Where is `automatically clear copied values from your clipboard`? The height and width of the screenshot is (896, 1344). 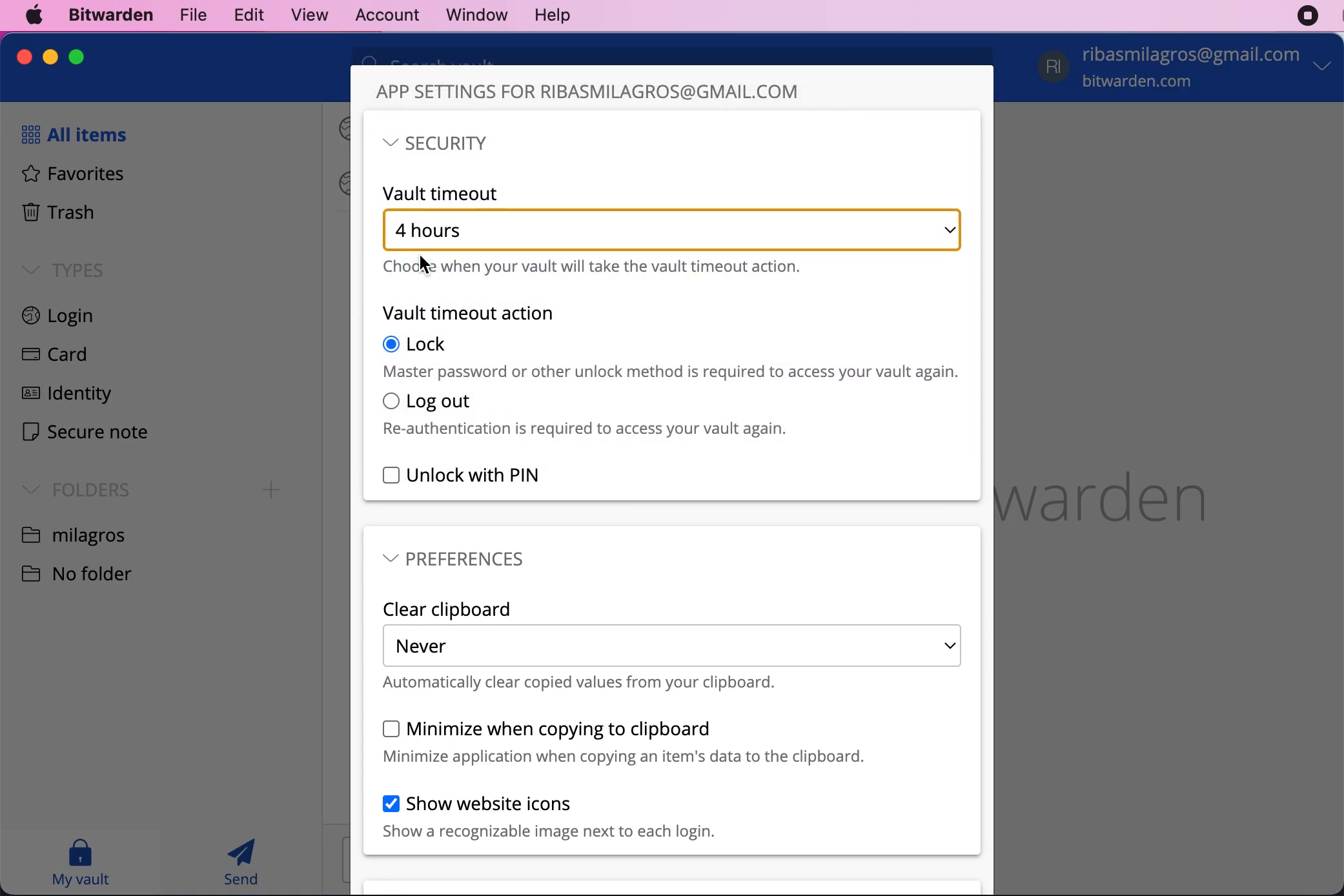
automatically clear copied values from your clipboard is located at coordinates (580, 683).